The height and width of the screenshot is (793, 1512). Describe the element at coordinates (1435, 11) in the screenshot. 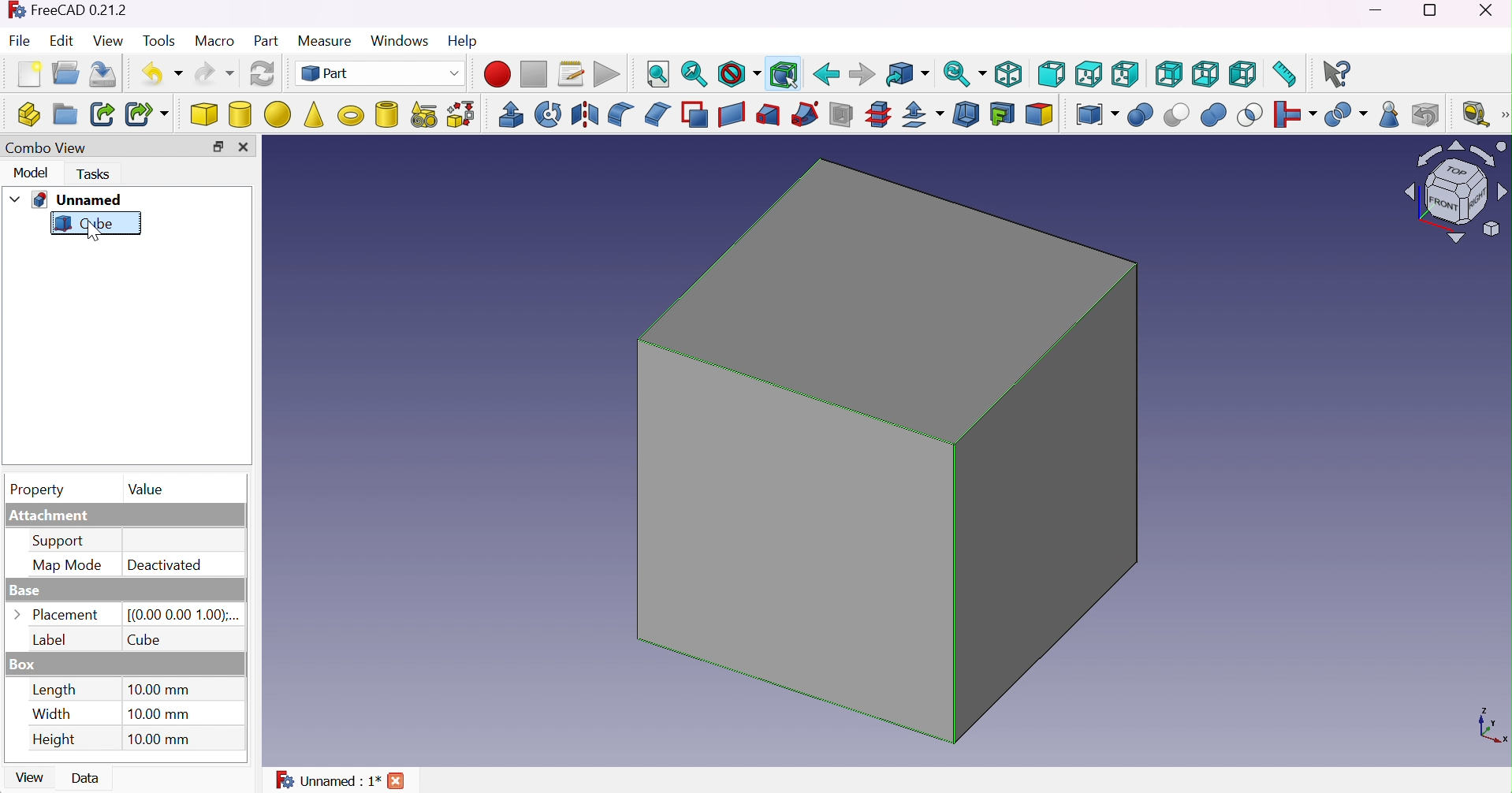

I see `Restore down` at that location.